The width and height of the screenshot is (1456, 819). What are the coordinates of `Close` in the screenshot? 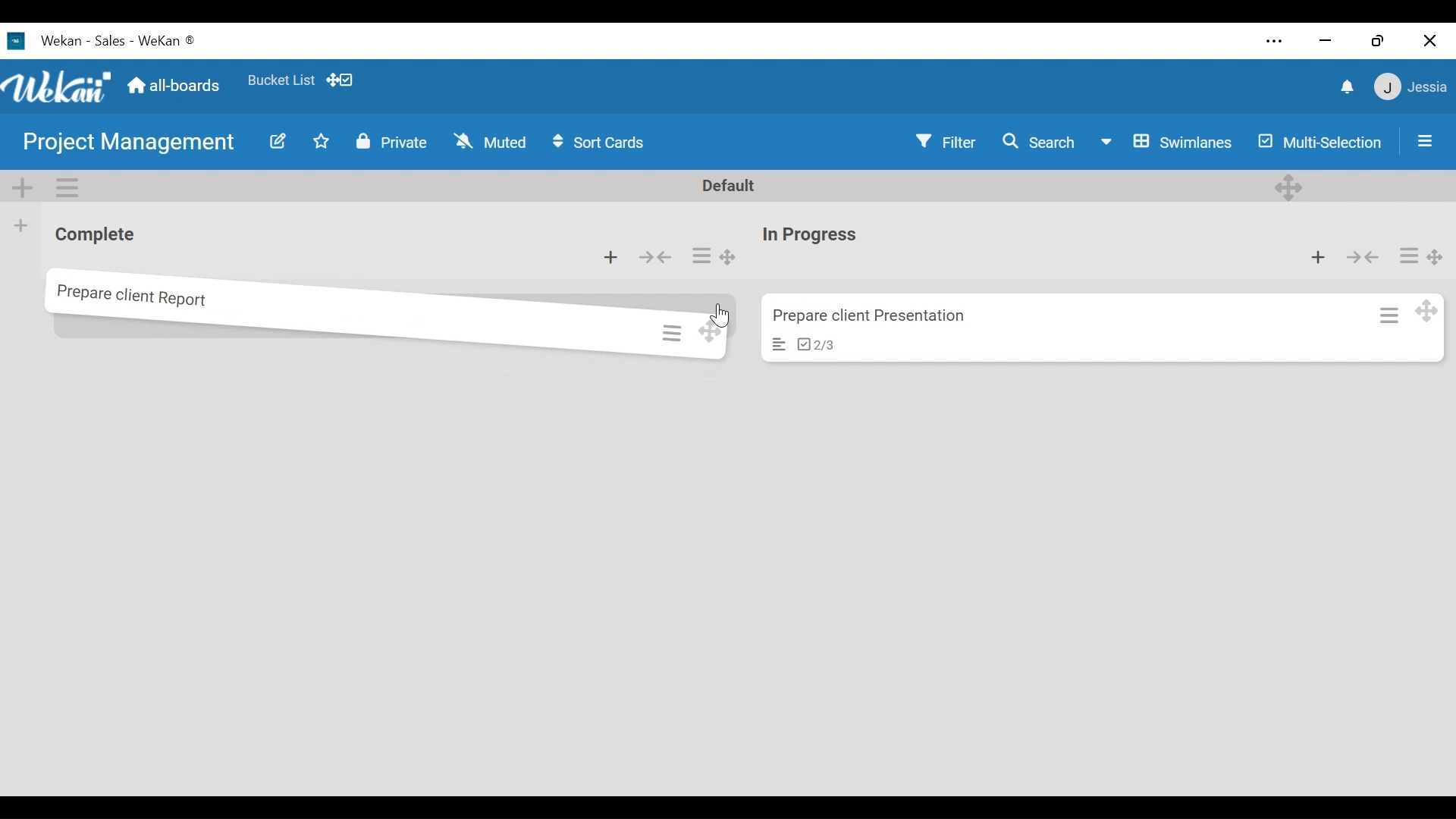 It's located at (1431, 39).